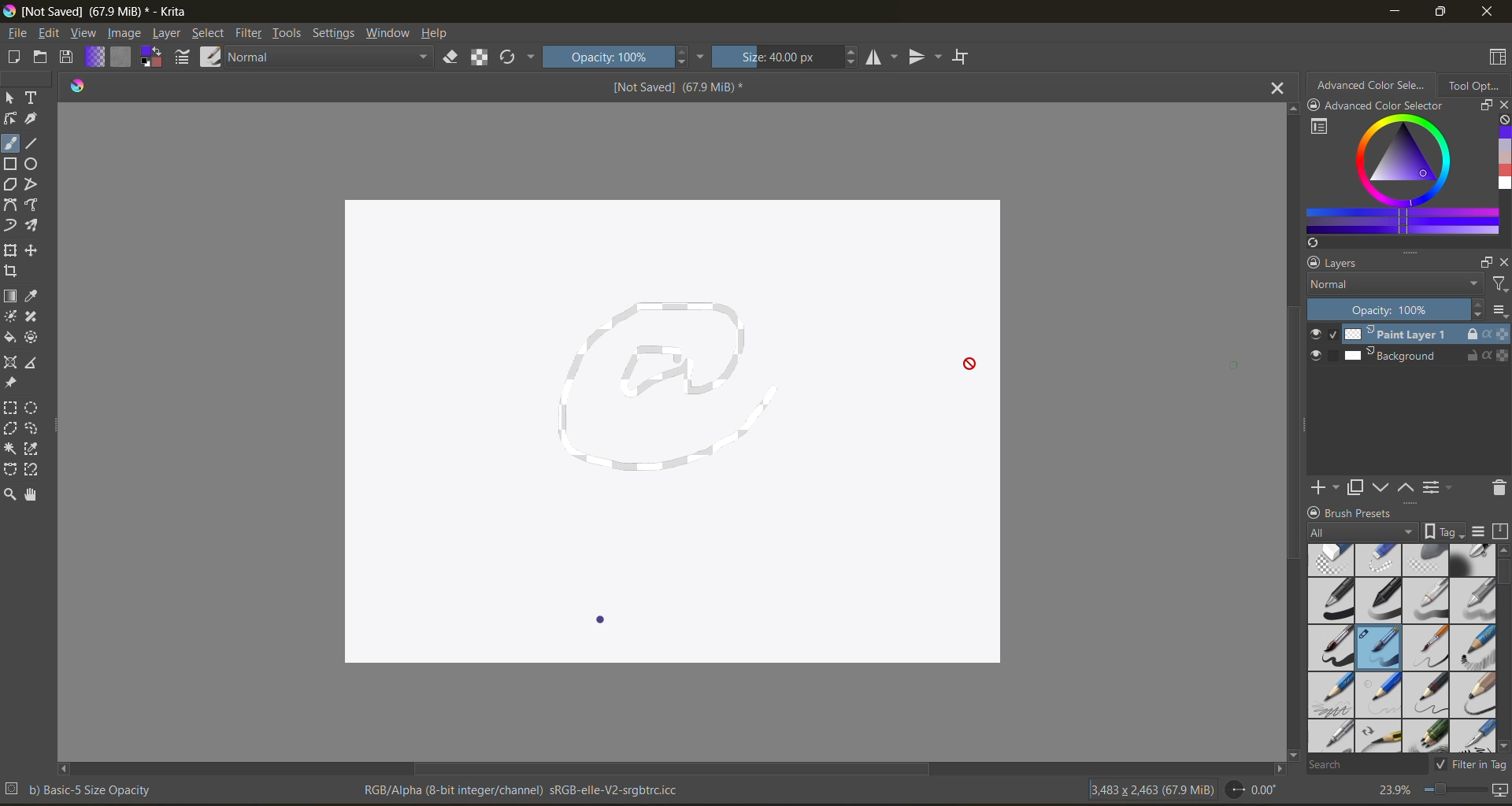  What do you see at coordinates (1392, 790) in the screenshot?
I see `zoom factor` at bounding box center [1392, 790].